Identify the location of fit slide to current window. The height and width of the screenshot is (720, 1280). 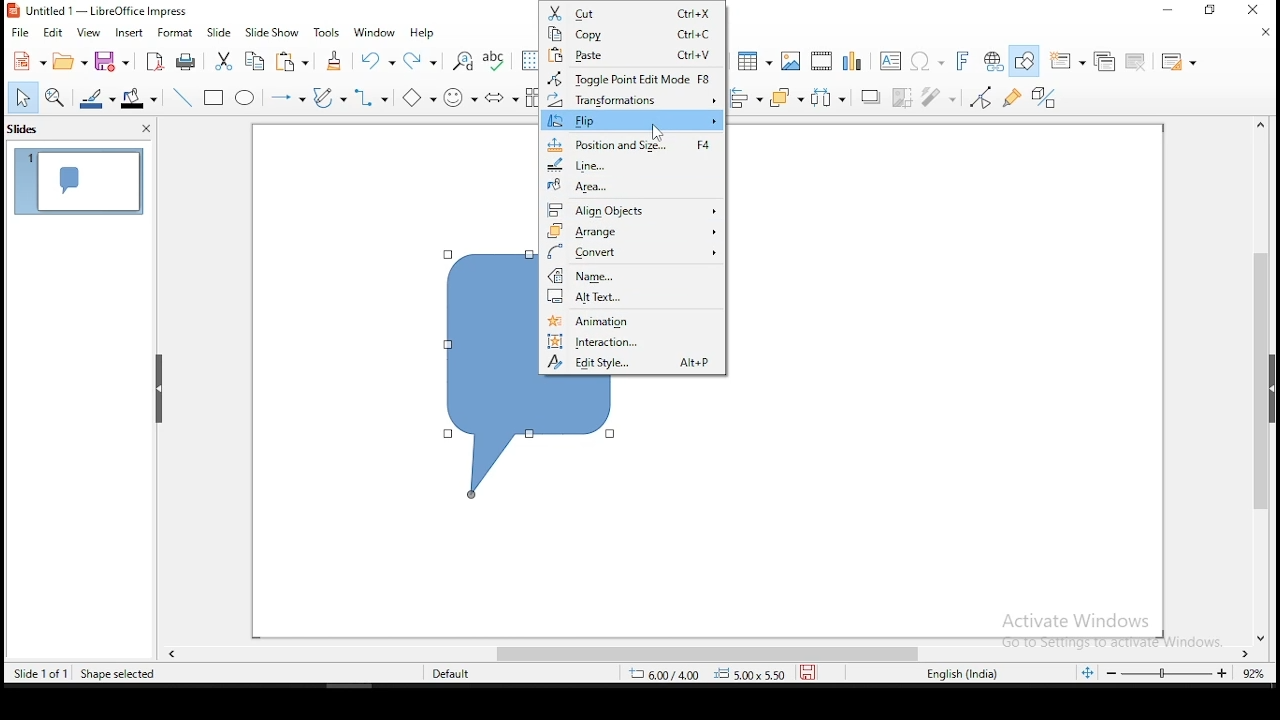
(1087, 673).